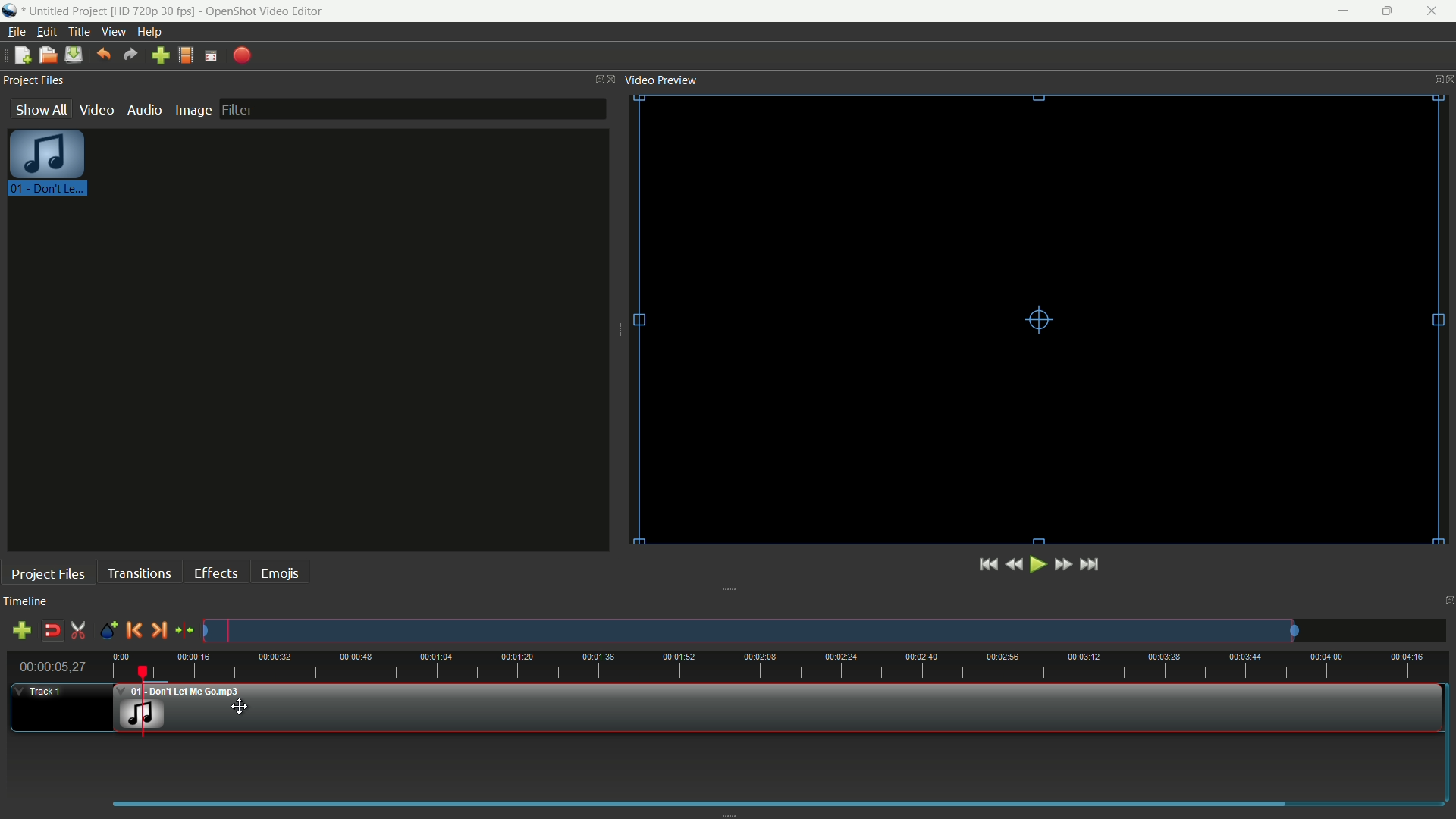  I want to click on time, so click(780, 666).